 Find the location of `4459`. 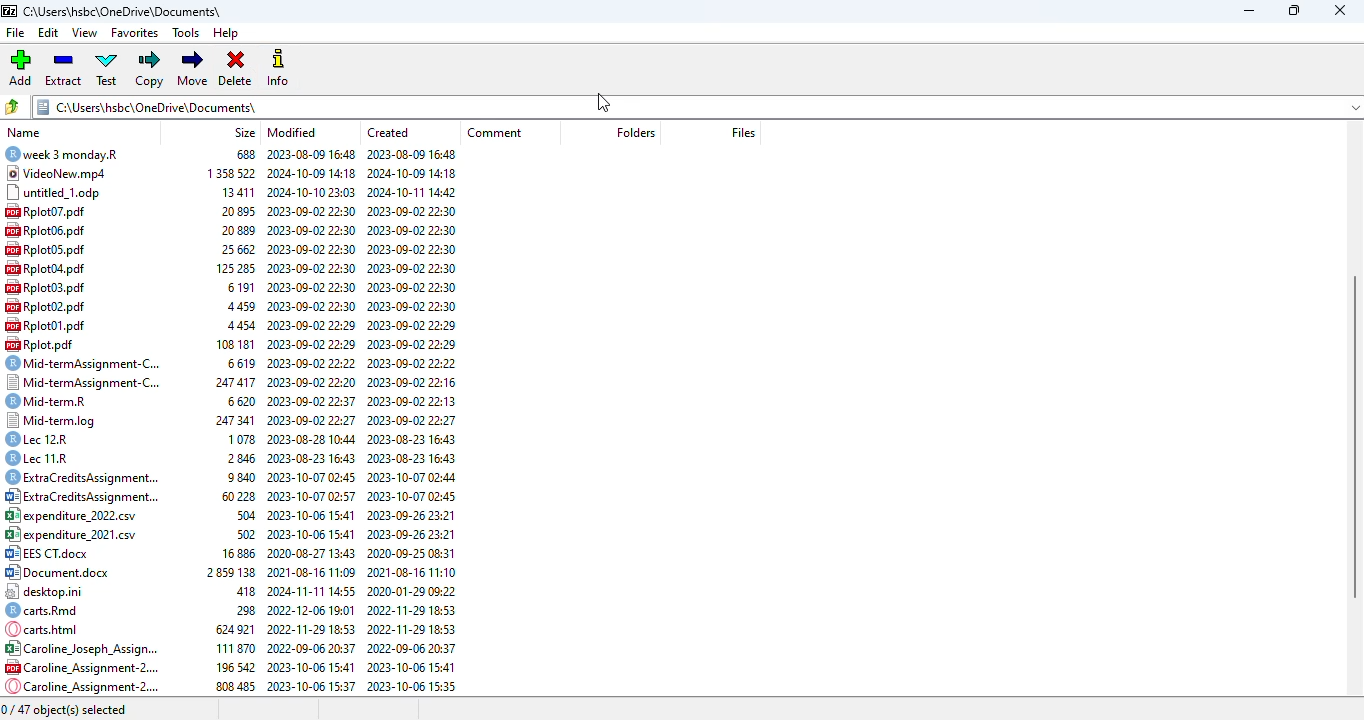

4459 is located at coordinates (237, 307).